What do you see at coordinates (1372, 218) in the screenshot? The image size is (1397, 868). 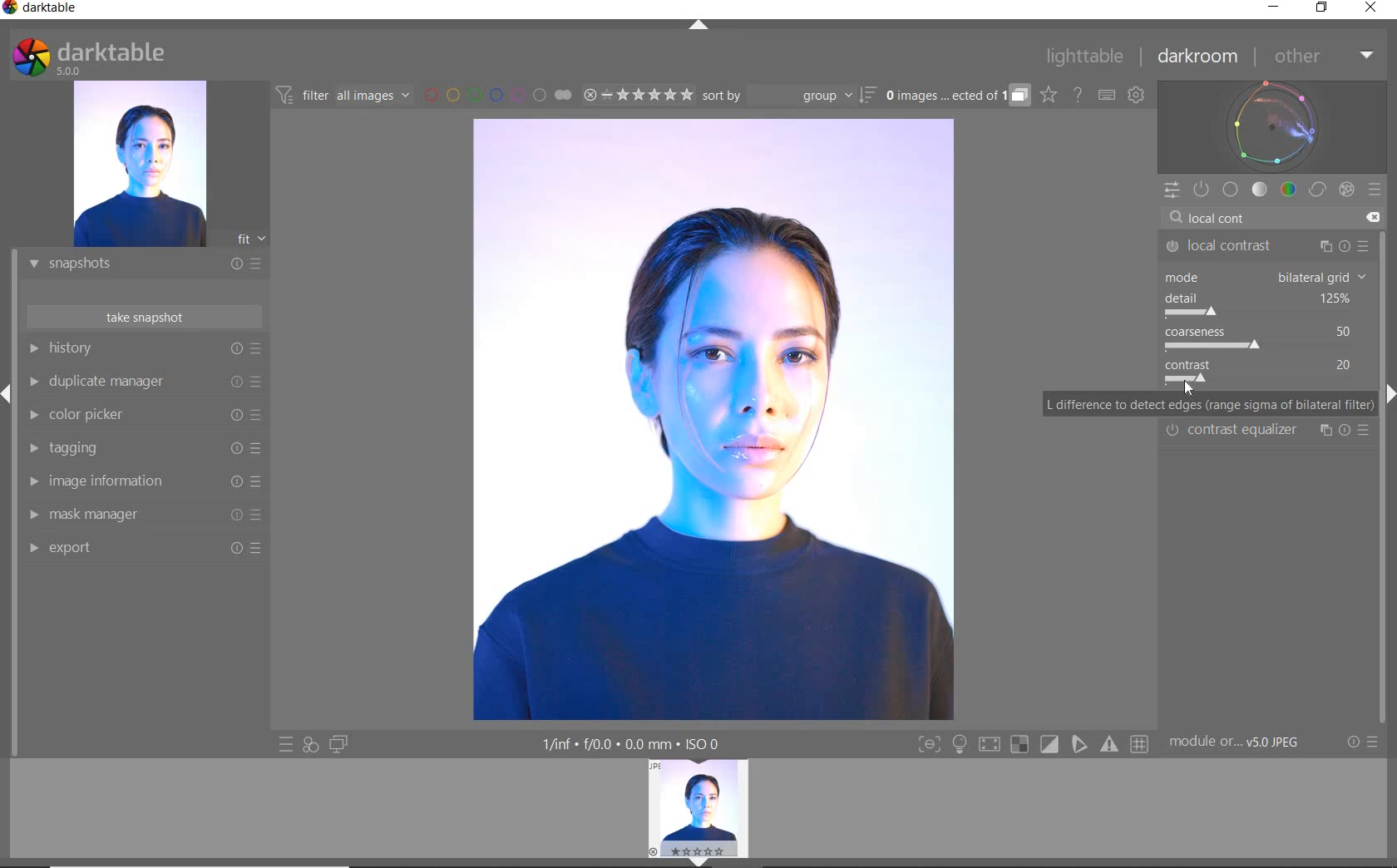 I see `Clear` at bounding box center [1372, 218].